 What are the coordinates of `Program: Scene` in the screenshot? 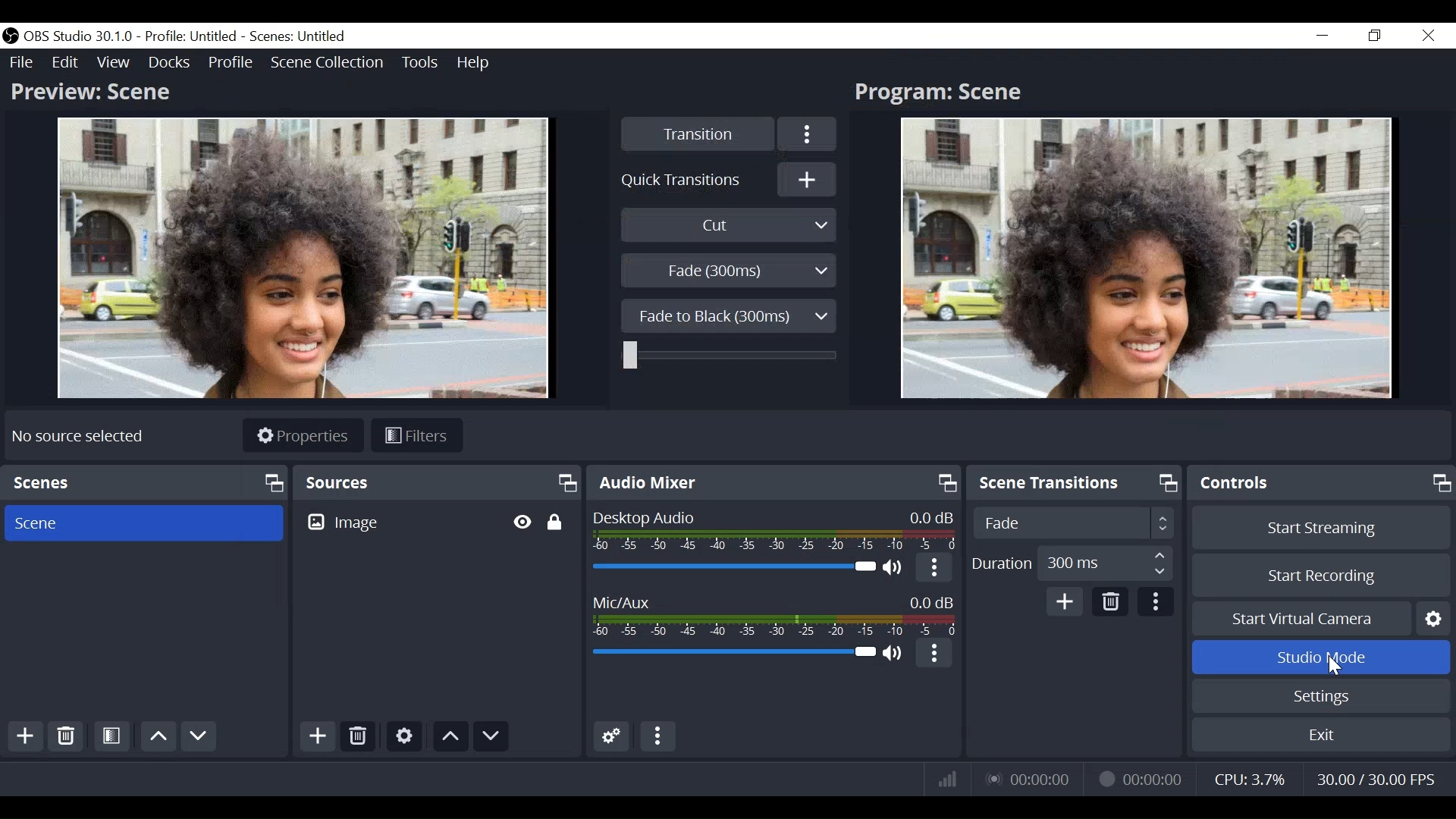 It's located at (941, 95).